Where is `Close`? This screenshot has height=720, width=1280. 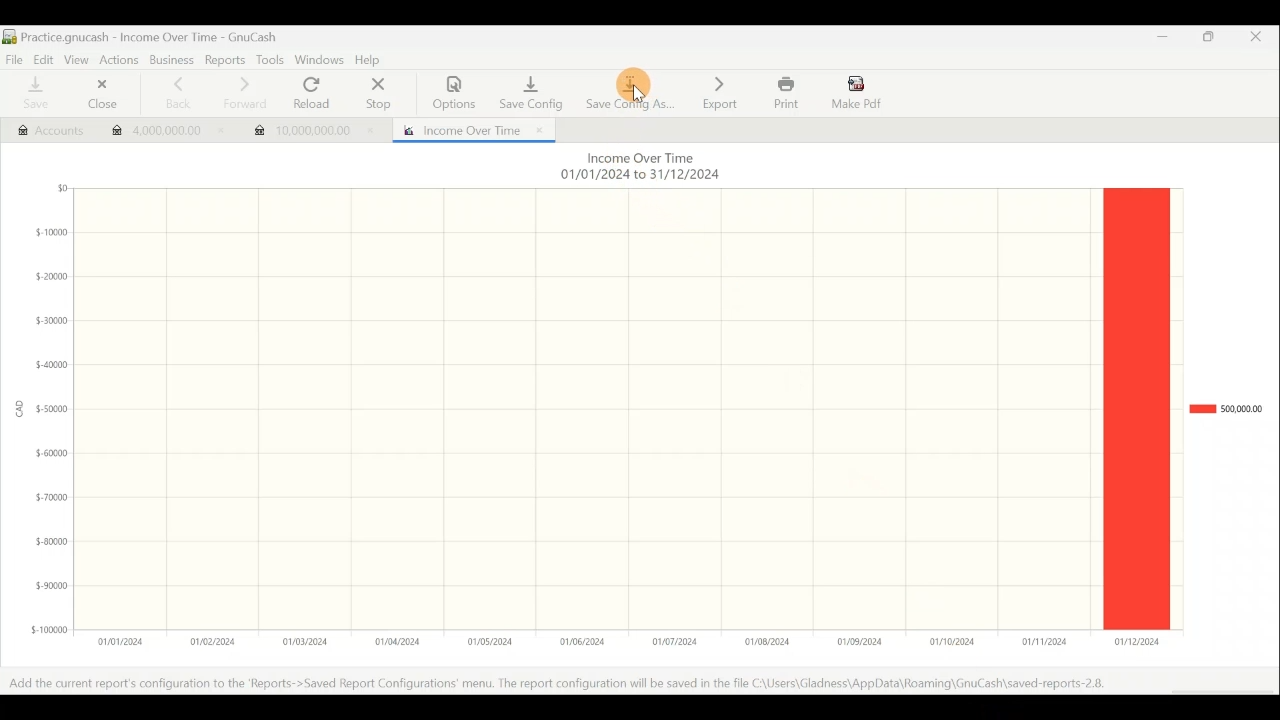 Close is located at coordinates (1263, 40).